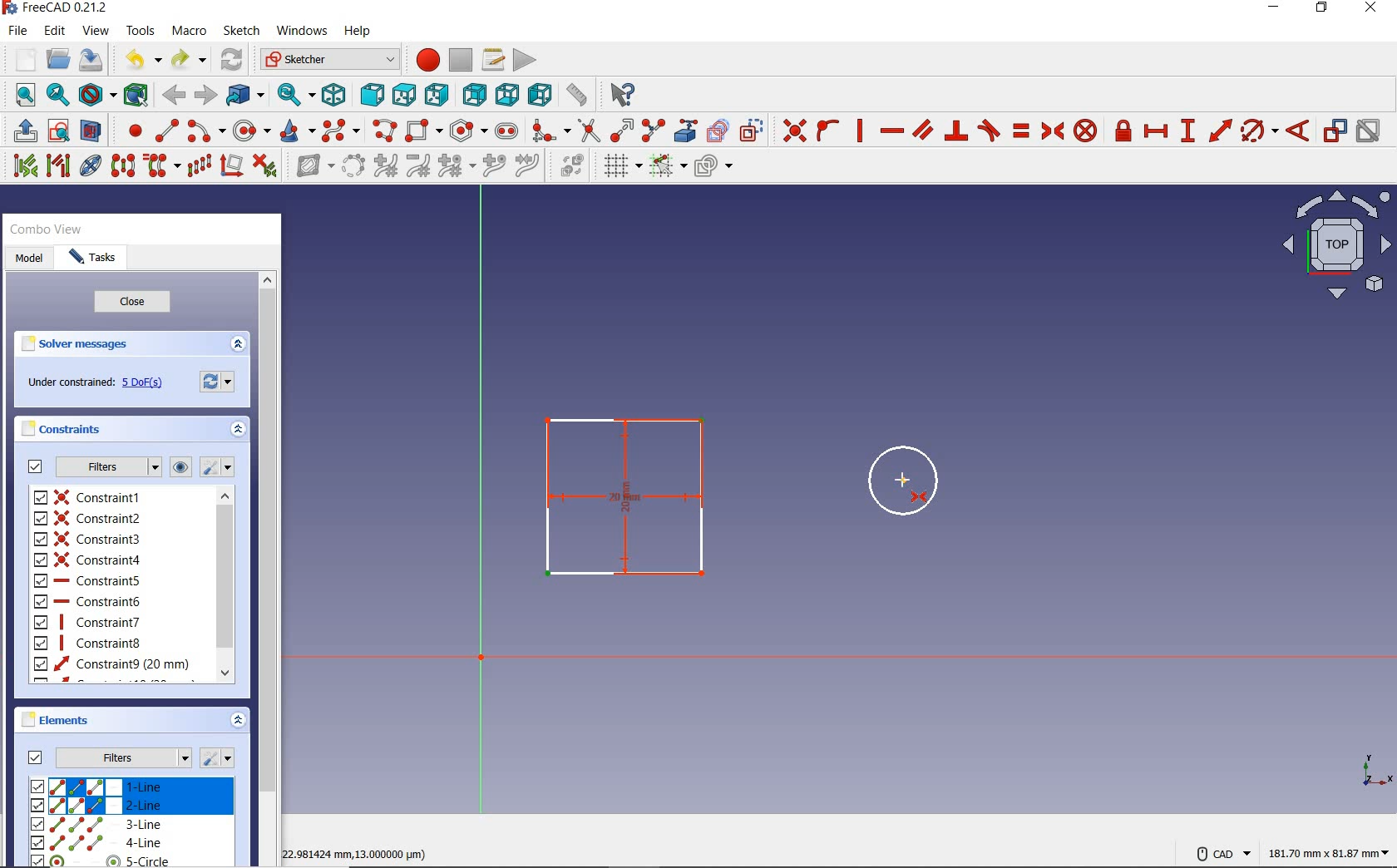  What do you see at coordinates (385, 167) in the screenshot?
I see `increase b-spline degree` at bounding box center [385, 167].